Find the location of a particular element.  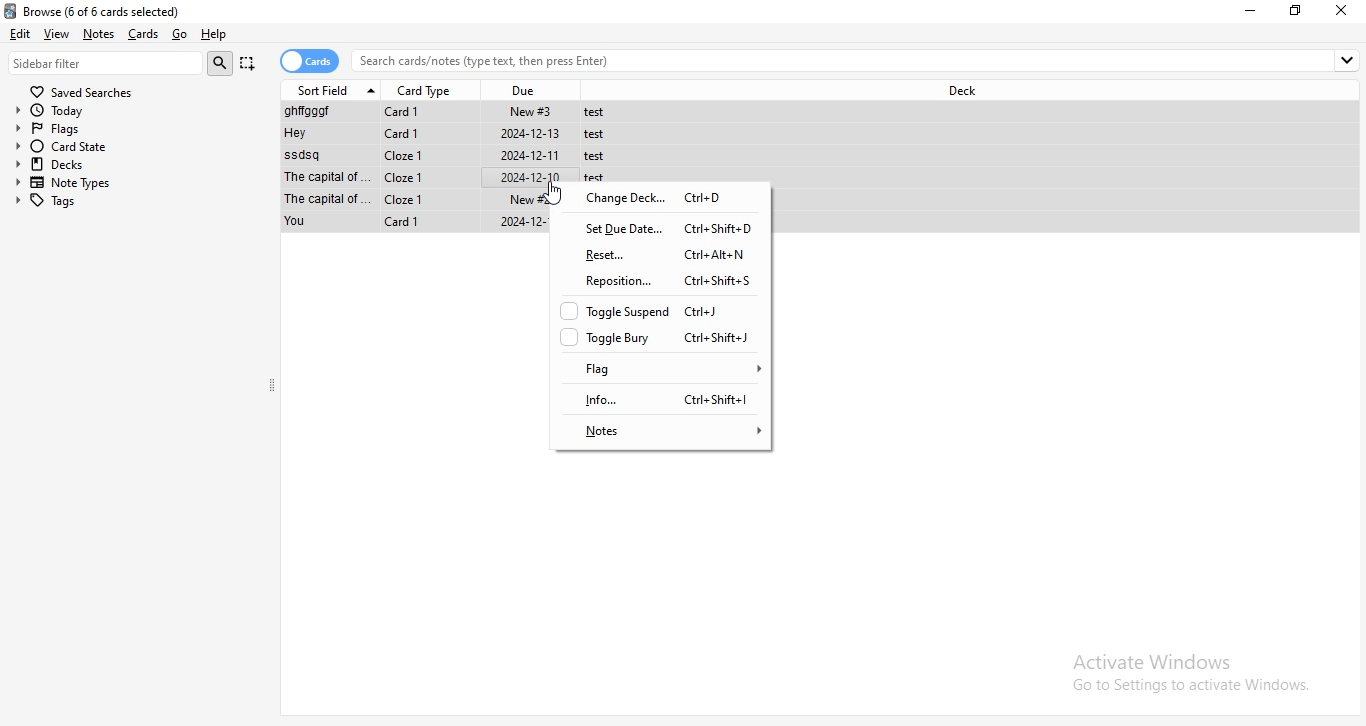

close is located at coordinates (1343, 11).